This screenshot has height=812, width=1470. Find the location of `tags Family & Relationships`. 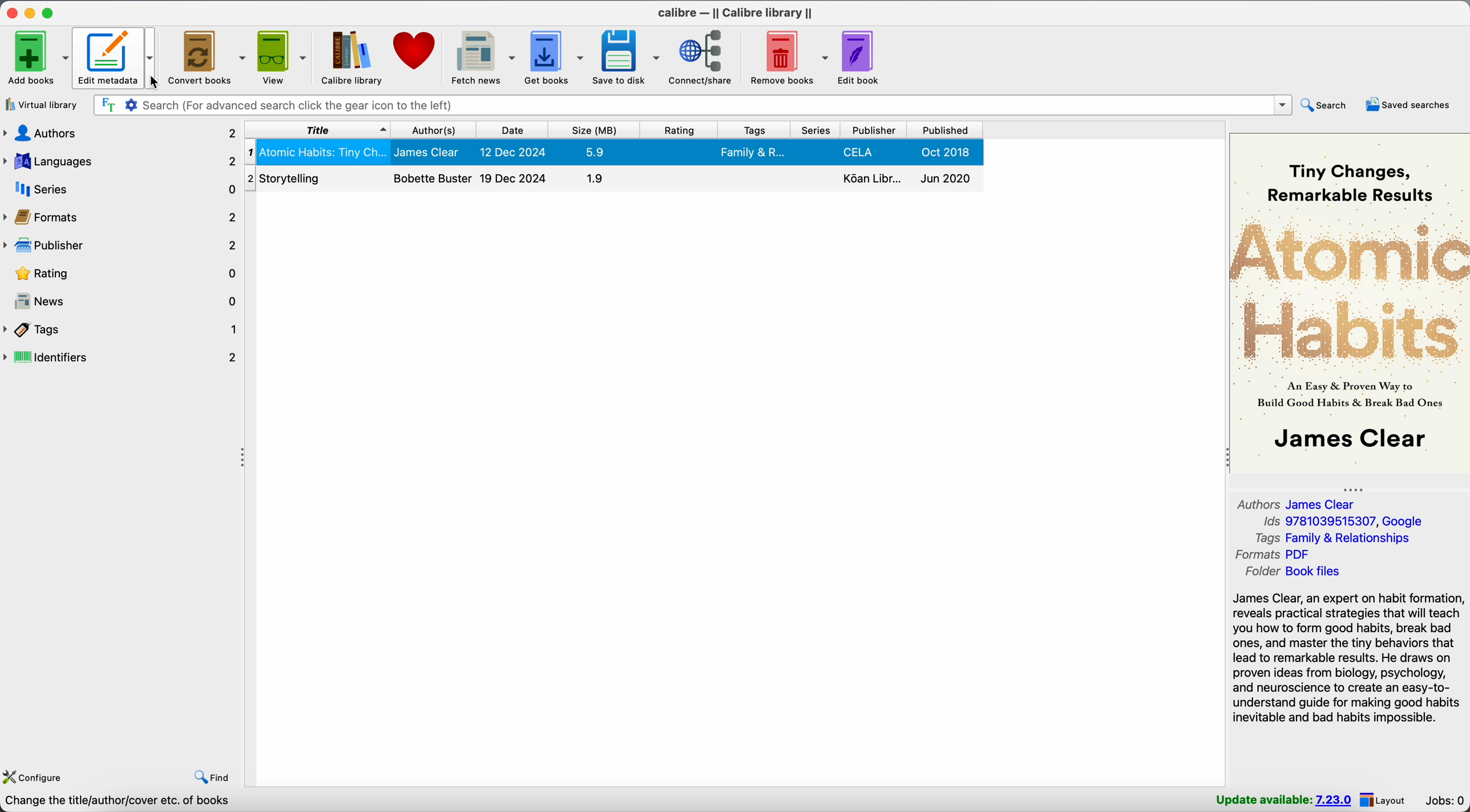

tags Family & Relationships is located at coordinates (1331, 538).